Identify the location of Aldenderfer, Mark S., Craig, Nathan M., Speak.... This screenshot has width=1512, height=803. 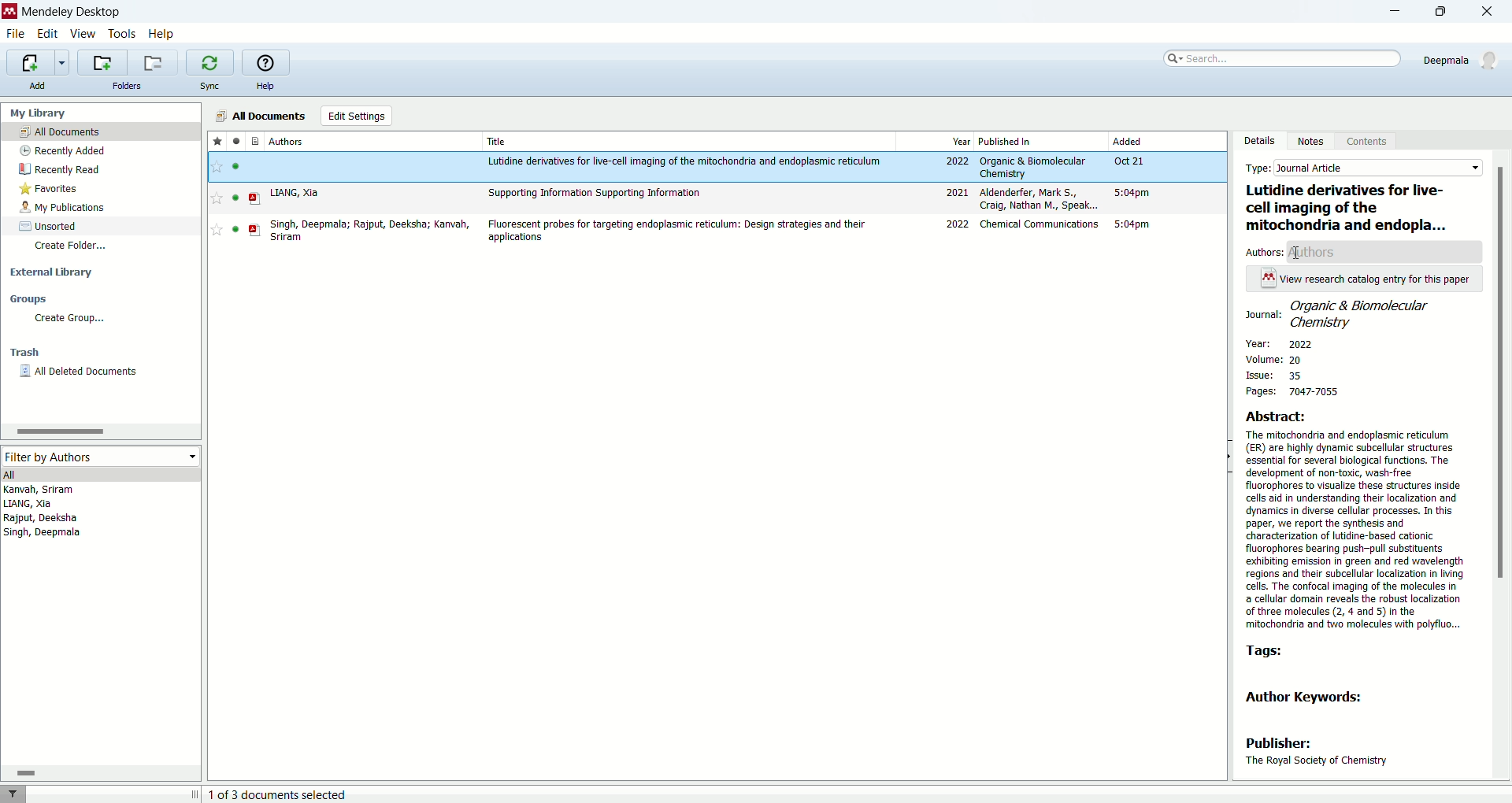
(1040, 200).